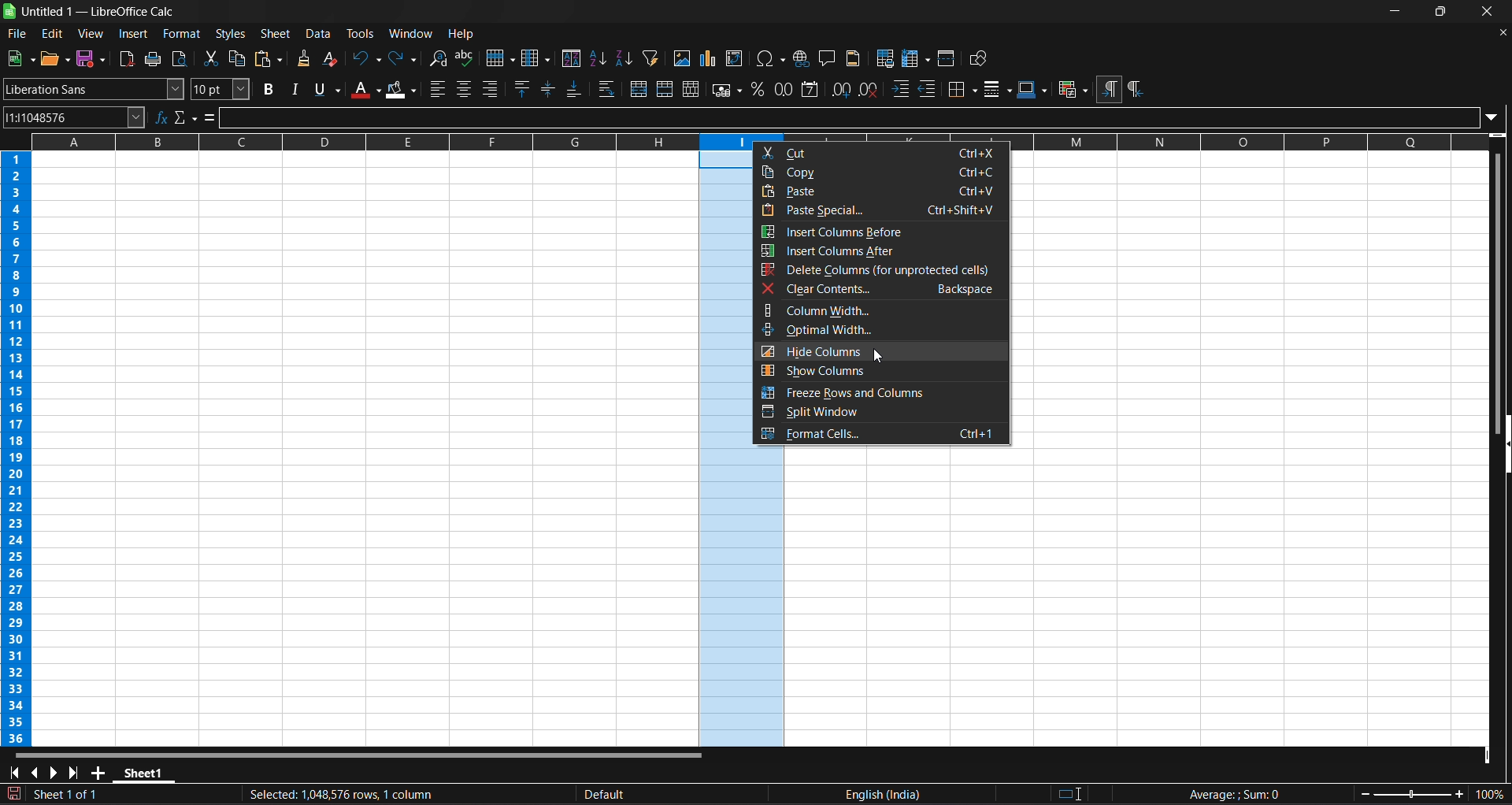 This screenshot has height=805, width=1512. Describe the element at coordinates (51, 32) in the screenshot. I see `edit` at that location.